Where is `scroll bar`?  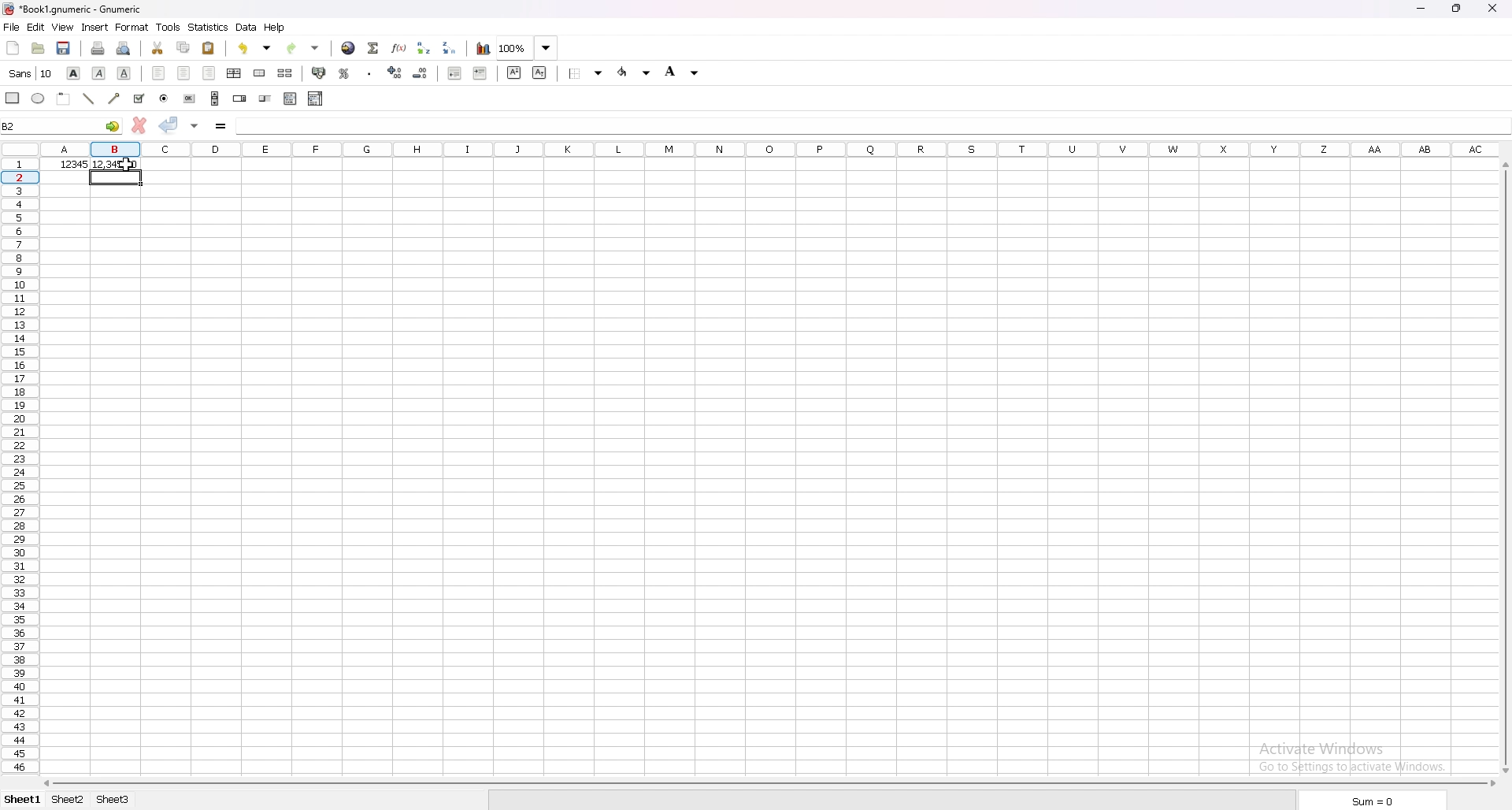 scroll bar is located at coordinates (766, 785).